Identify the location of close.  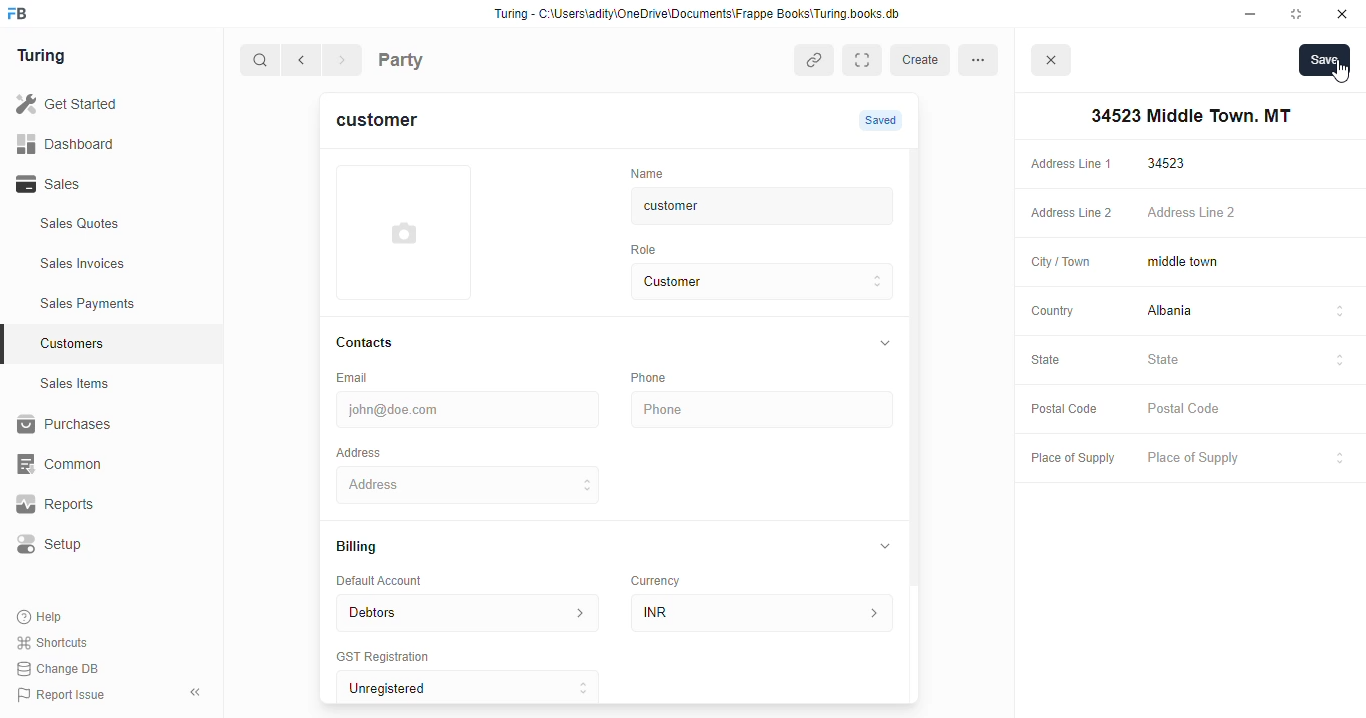
(1345, 14).